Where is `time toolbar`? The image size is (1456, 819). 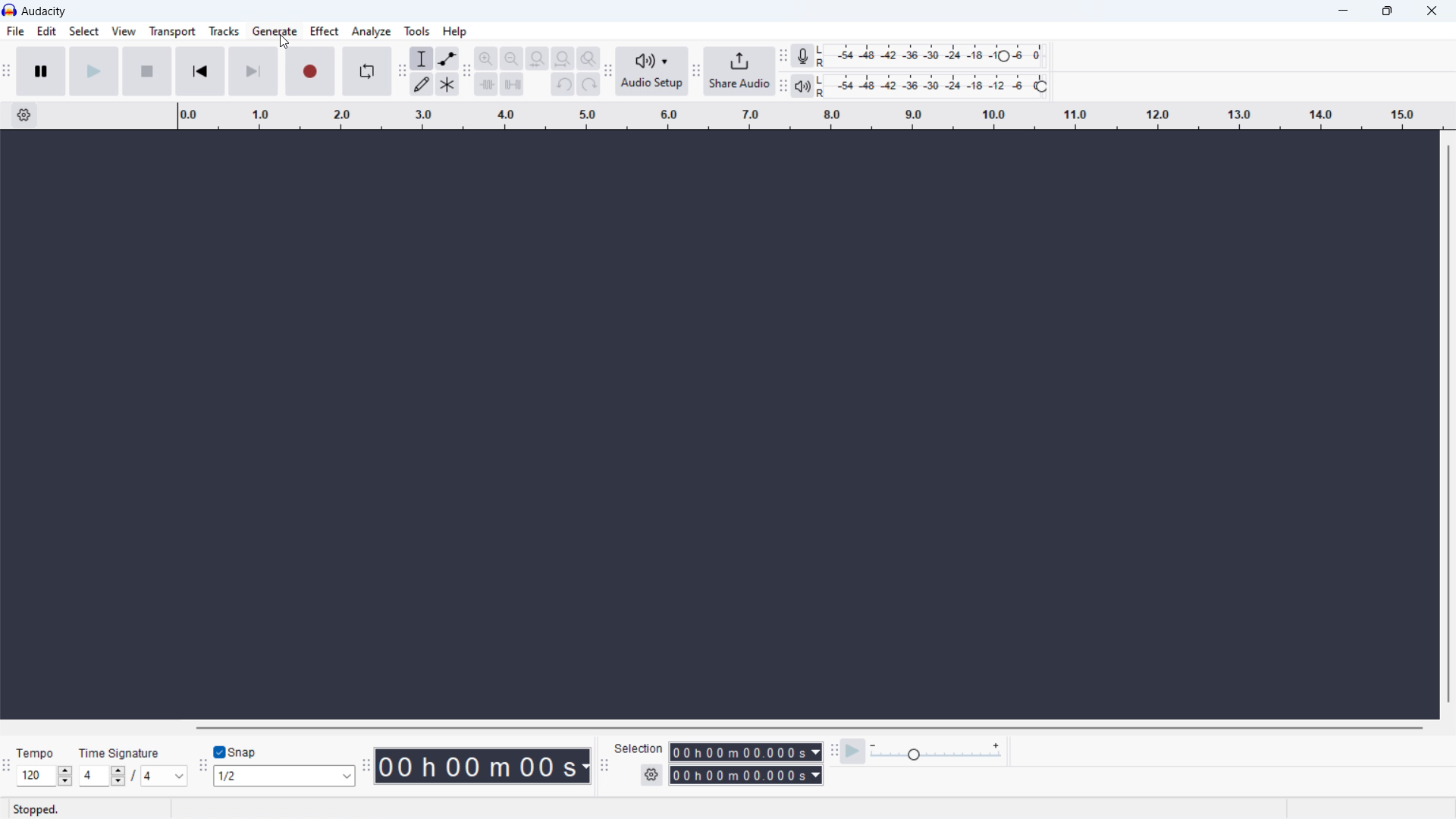 time toolbar is located at coordinates (366, 762).